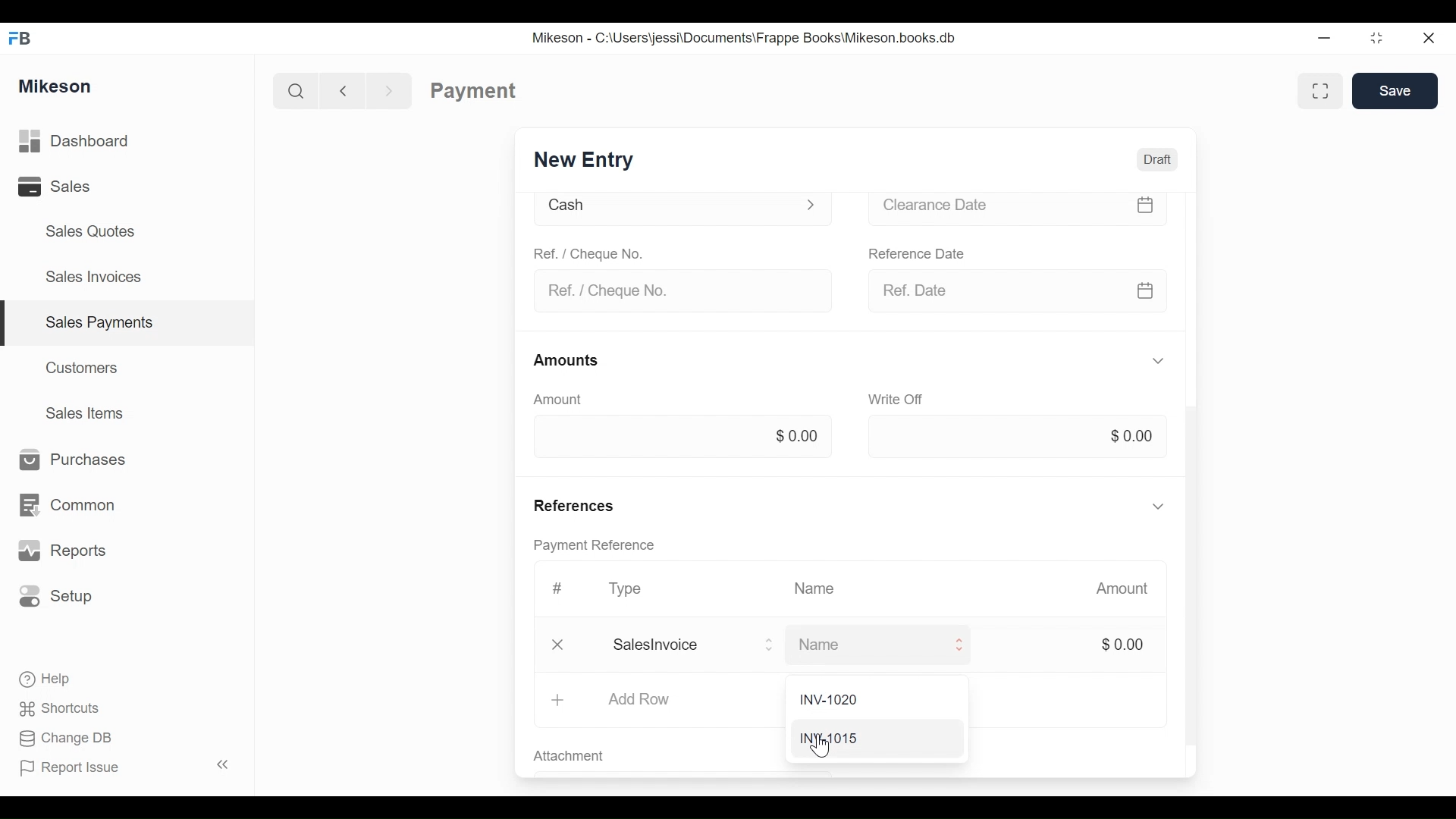  What do you see at coordinates (56, 84) in the screenshot?
I see `Mikeson` at bounding box center [56, 84].